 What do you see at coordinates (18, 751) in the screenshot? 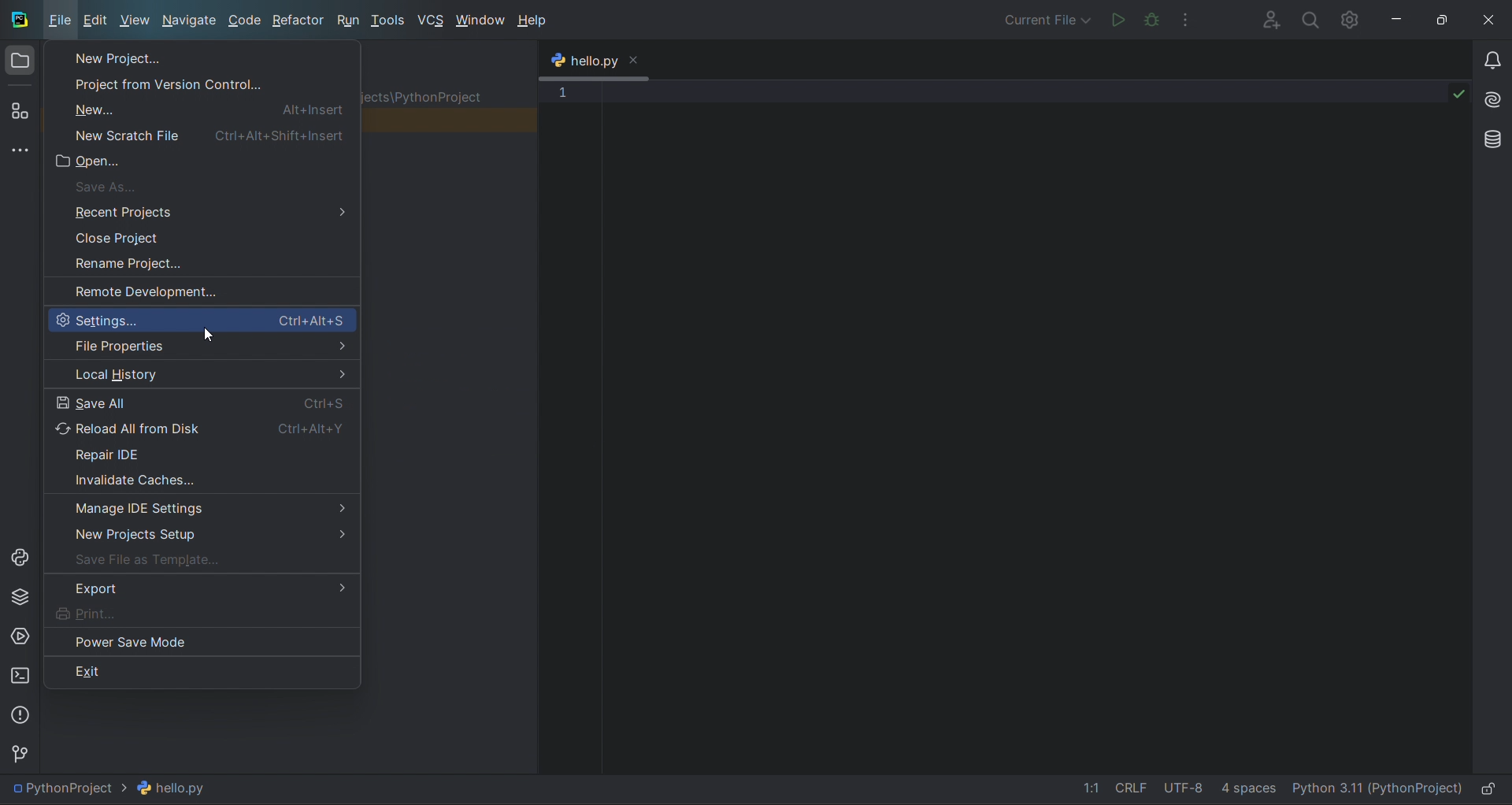
I see `version control` at bounding box center [18, 751].